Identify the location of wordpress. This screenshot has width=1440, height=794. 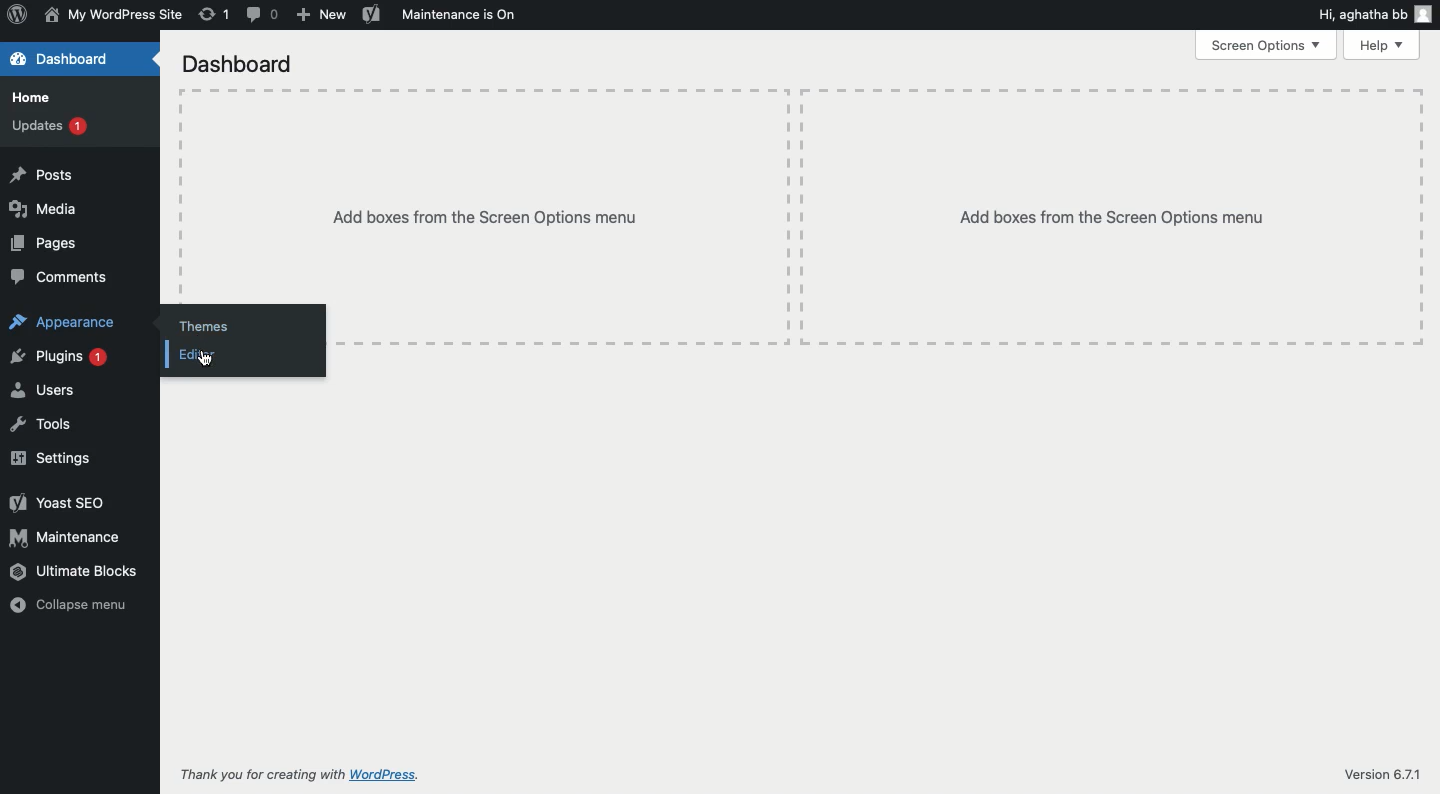
(388, 774).